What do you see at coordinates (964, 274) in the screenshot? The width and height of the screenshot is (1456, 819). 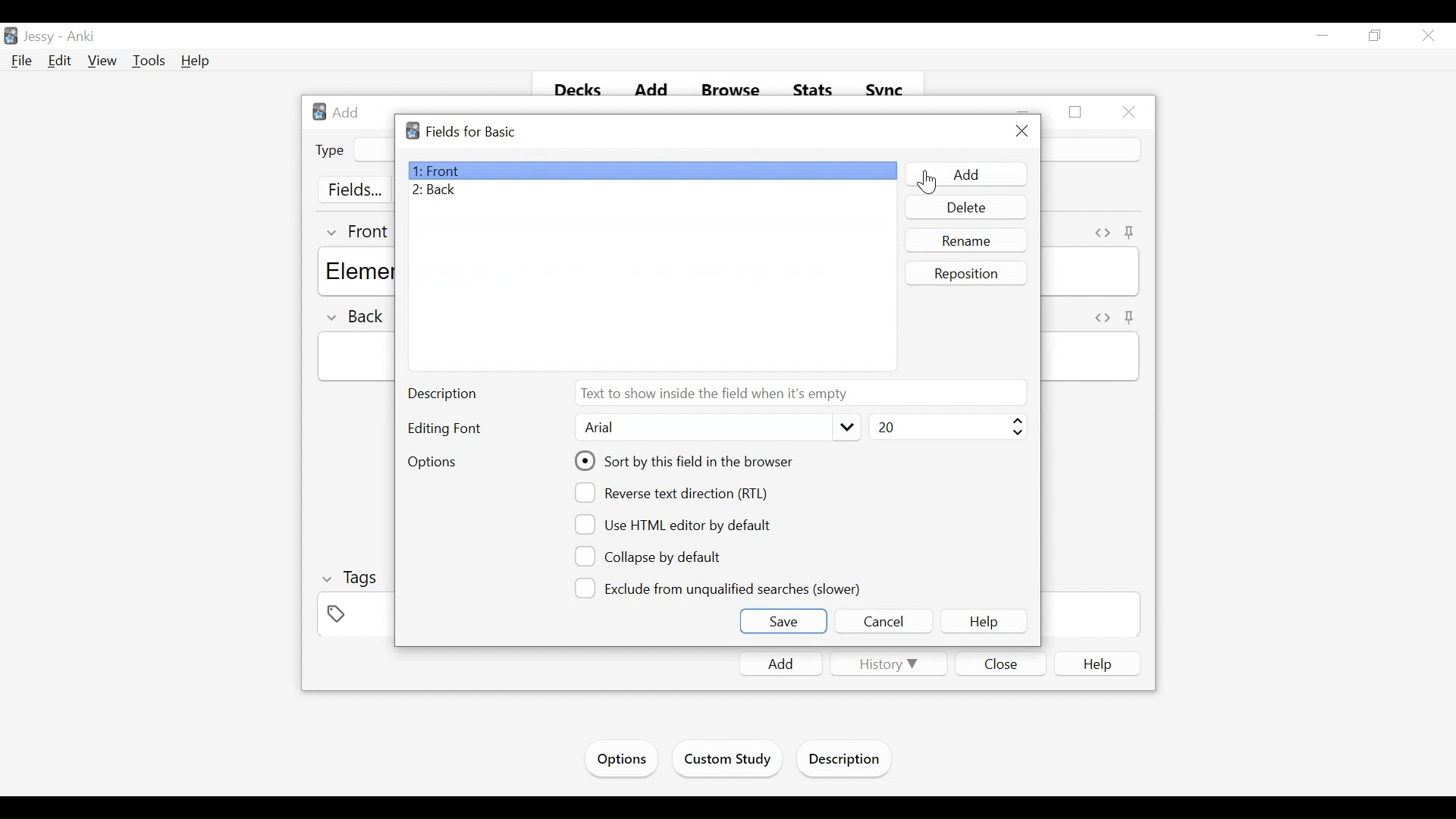 I see `Reposition` at bounding box center [964, 274].